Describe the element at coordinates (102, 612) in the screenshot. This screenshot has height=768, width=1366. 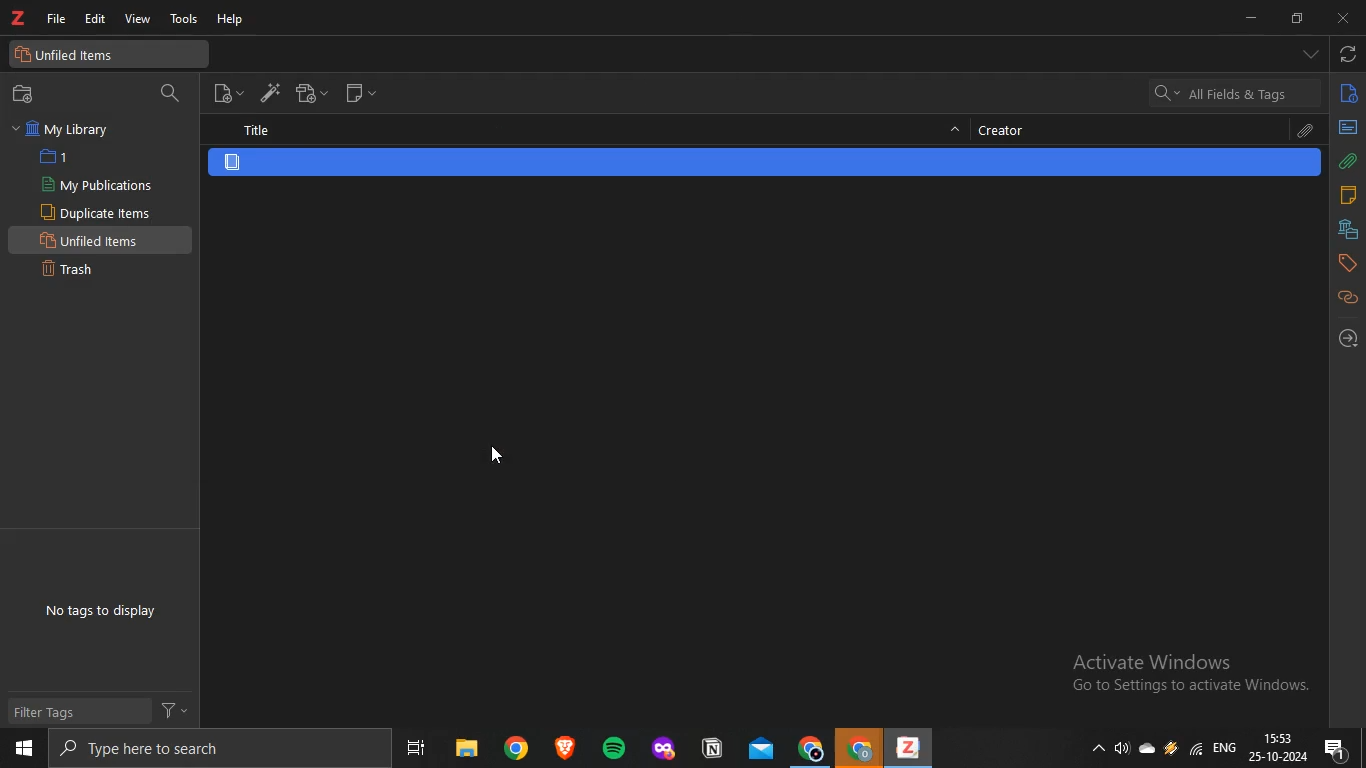
I see `No tags to display` at that location.